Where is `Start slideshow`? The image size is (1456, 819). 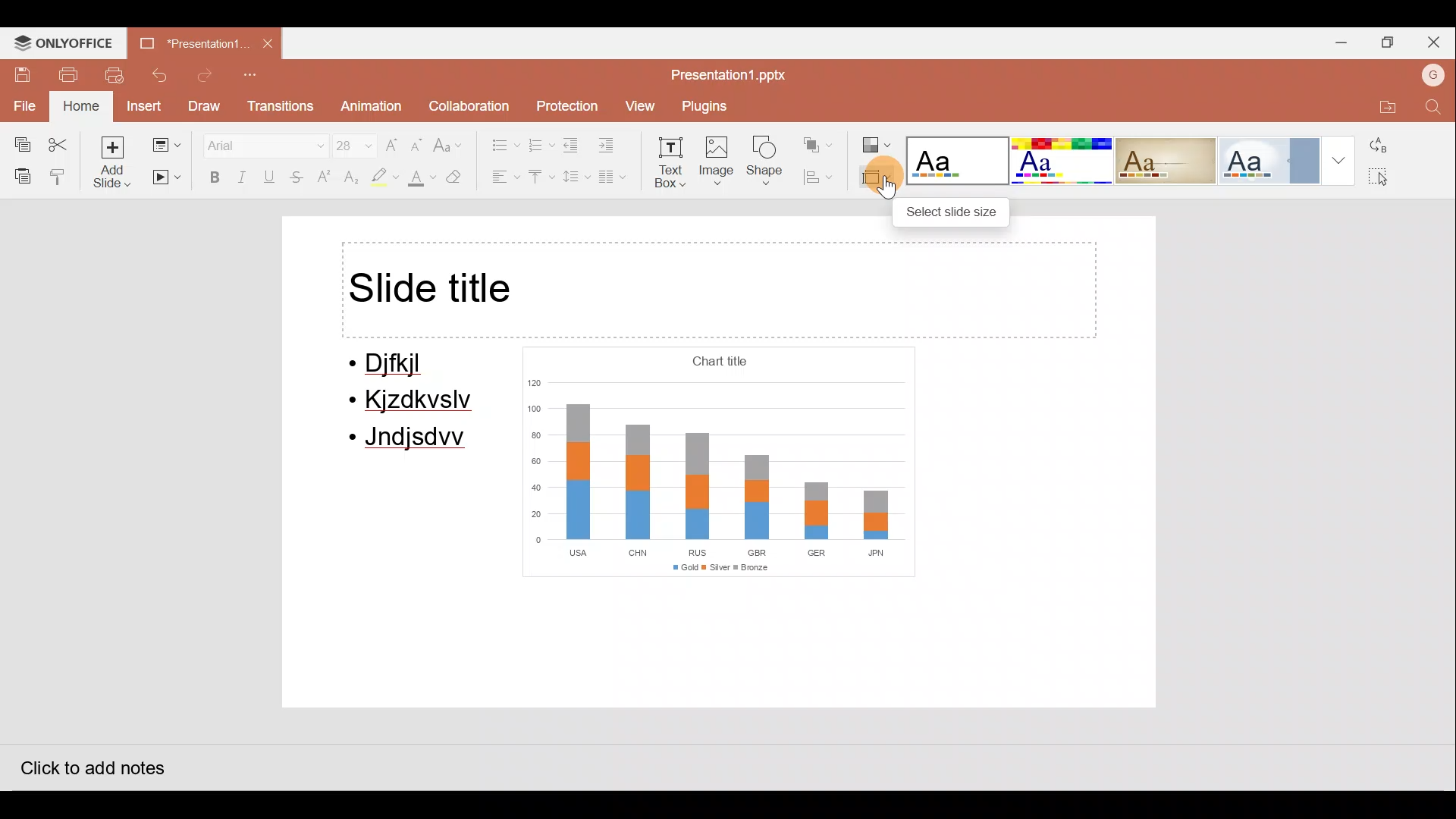 Start slideshow is located at coordinates (167, 178).